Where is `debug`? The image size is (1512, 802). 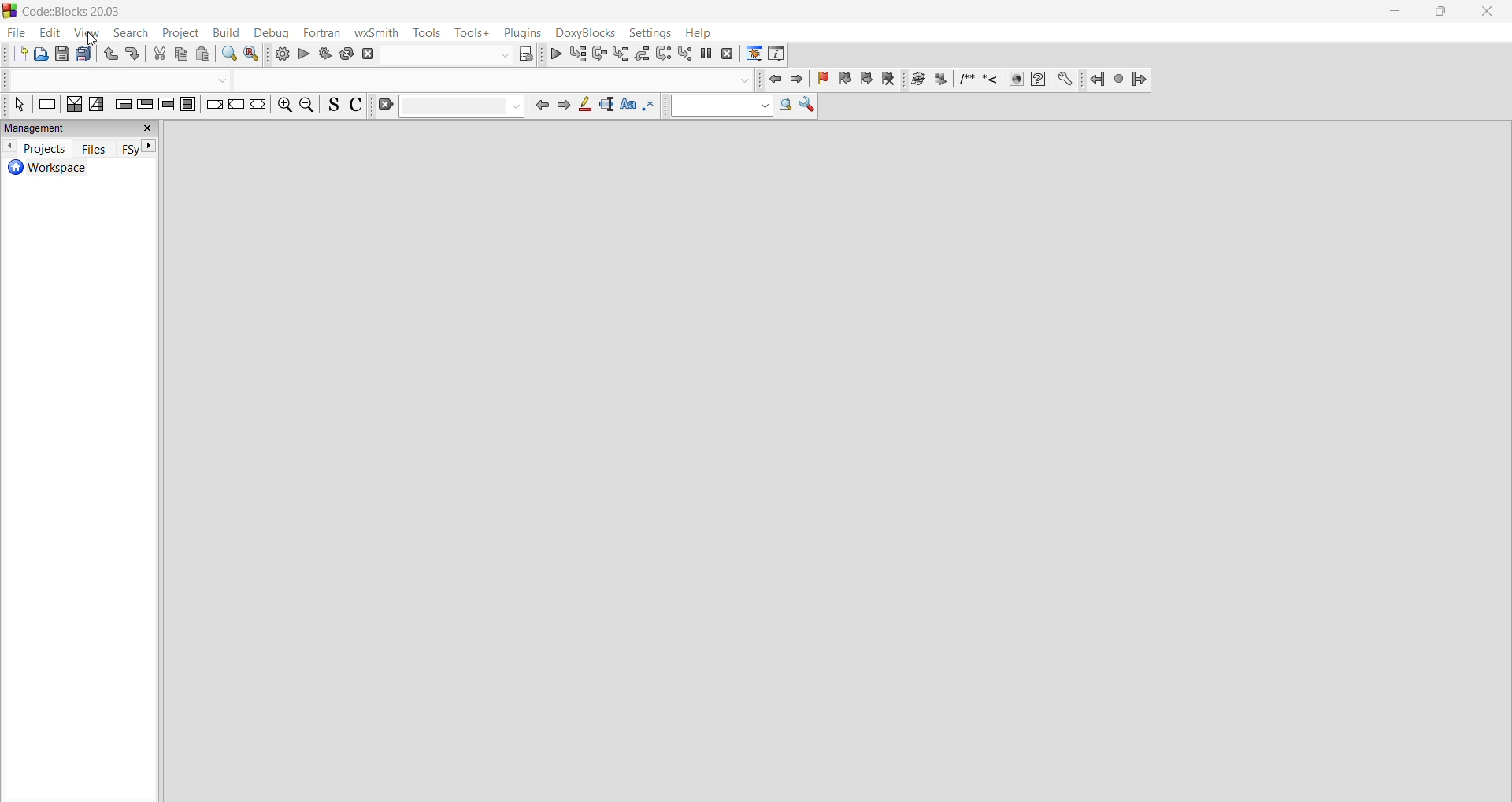
debug is located at coordinates (272, 33).